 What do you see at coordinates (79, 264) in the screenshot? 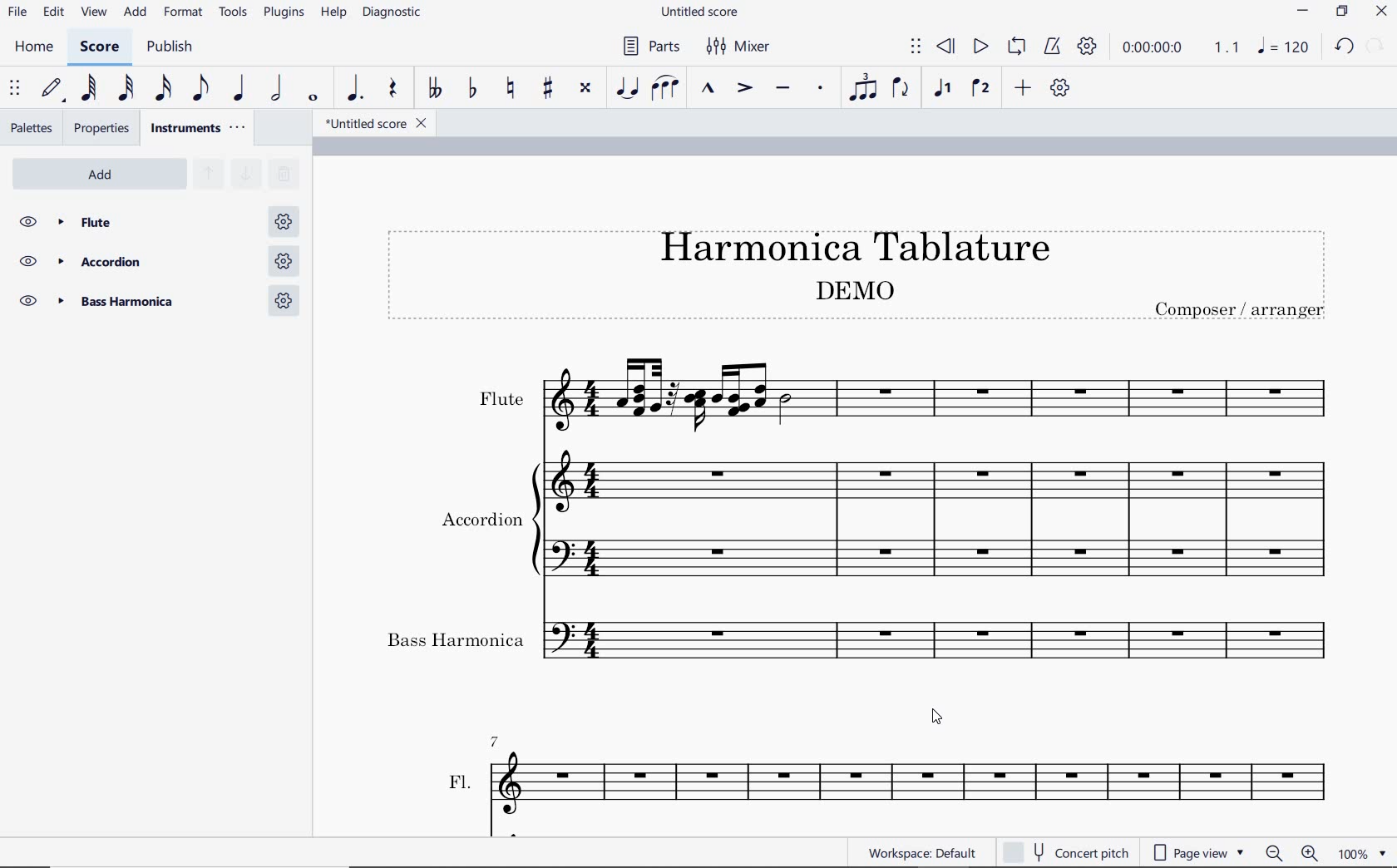
I see `Accordion` at bounding box center [79, 264].